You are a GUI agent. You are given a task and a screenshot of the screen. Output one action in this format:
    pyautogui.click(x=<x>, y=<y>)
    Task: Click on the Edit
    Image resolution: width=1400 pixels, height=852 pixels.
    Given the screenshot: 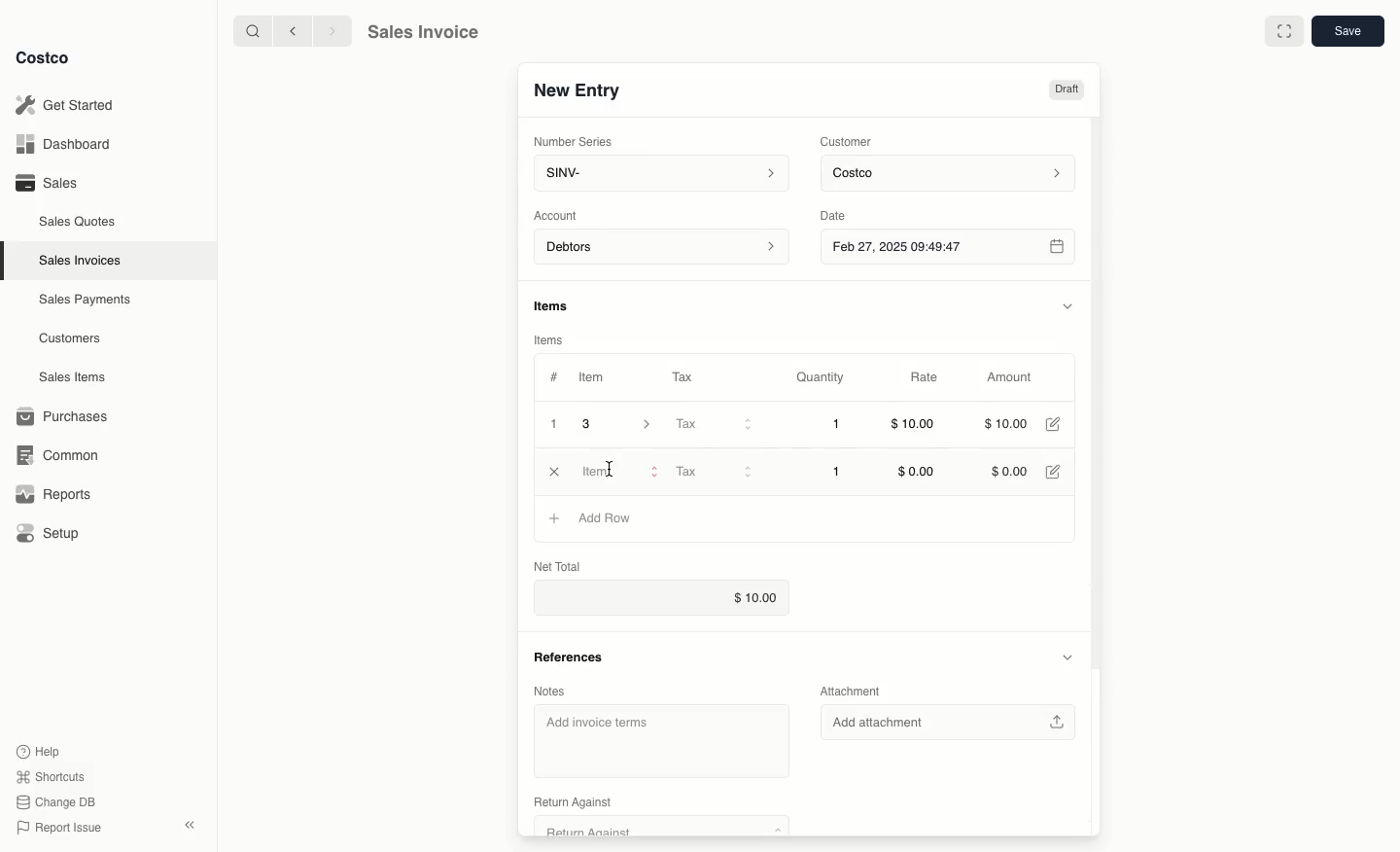 What is the action you would take?
    pyautogui.click(x=1057, y=472)
    